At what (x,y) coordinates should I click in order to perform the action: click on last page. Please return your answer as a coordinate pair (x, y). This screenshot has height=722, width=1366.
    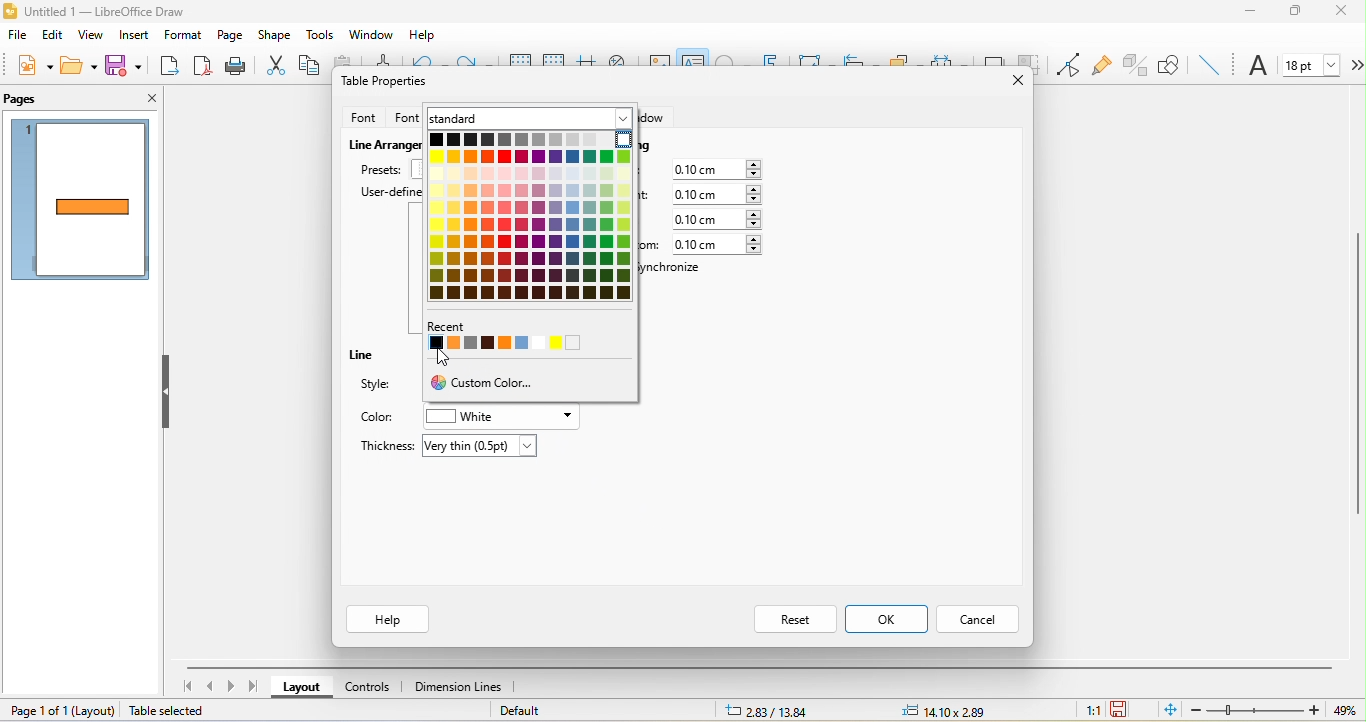
    Looking at the image, I should click on (259, 687).